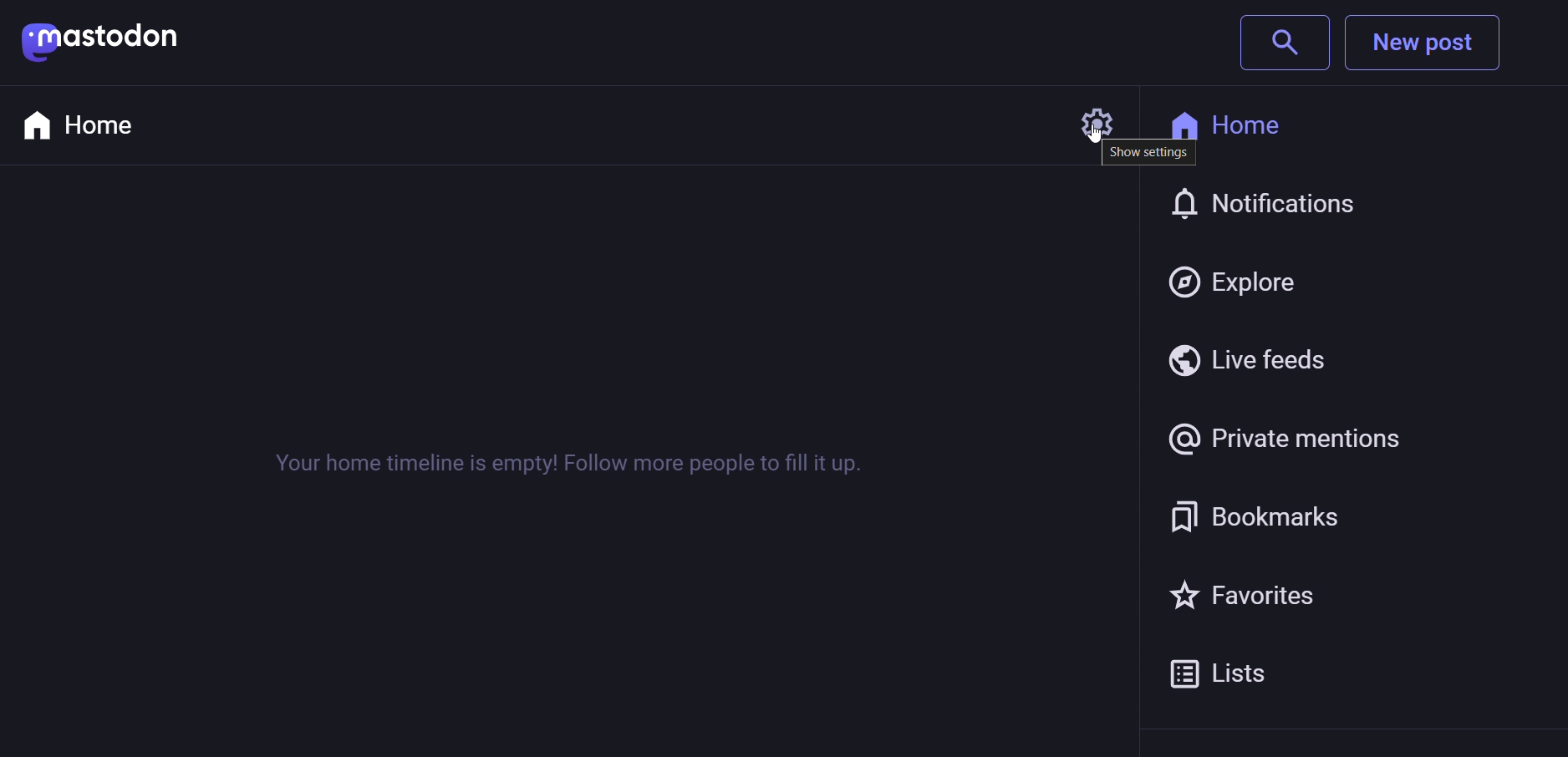 The height and width of the screenshot is (757, 1568). I want to click on home, so click(86, 124).